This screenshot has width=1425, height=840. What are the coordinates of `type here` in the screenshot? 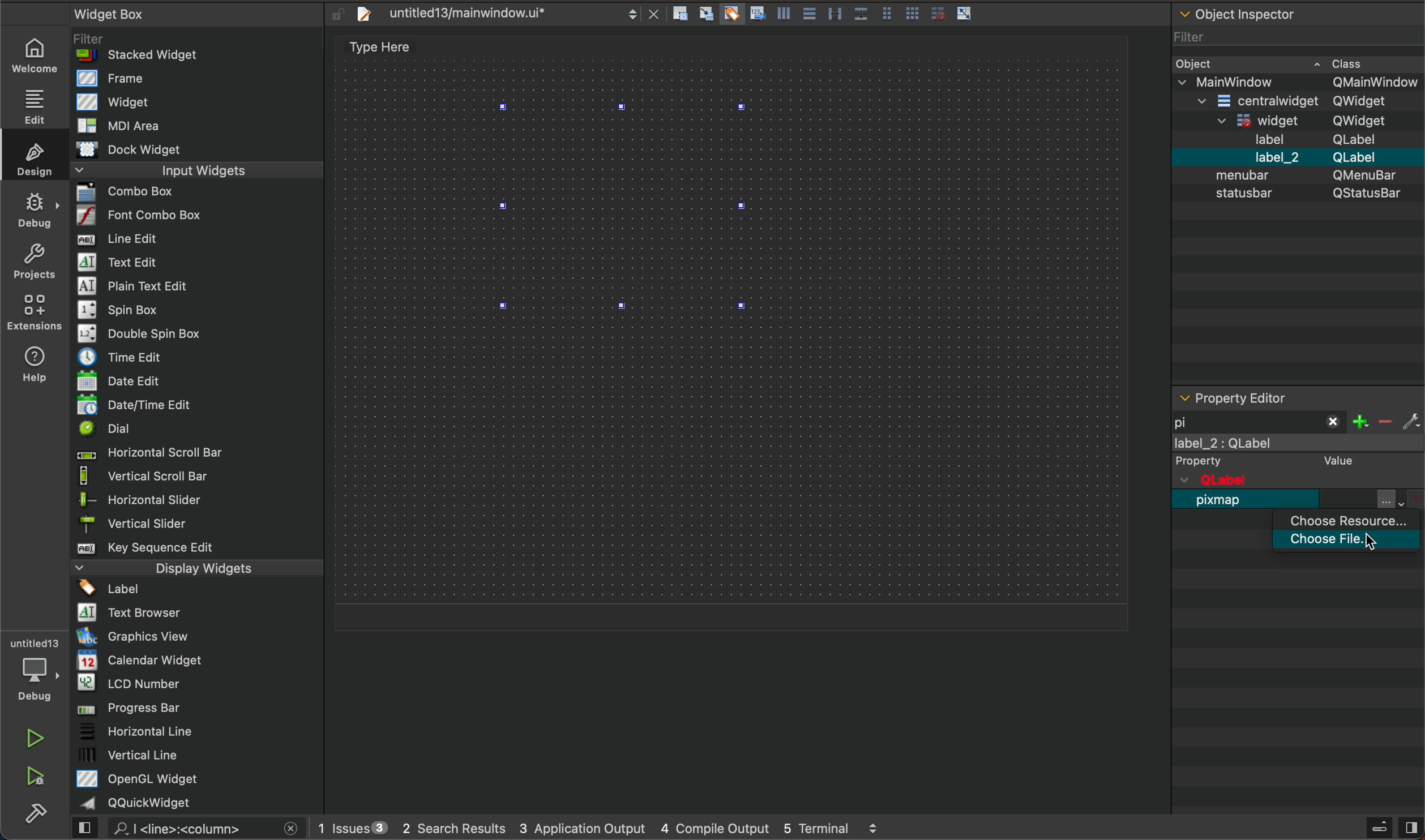 It's located at (386, 48).